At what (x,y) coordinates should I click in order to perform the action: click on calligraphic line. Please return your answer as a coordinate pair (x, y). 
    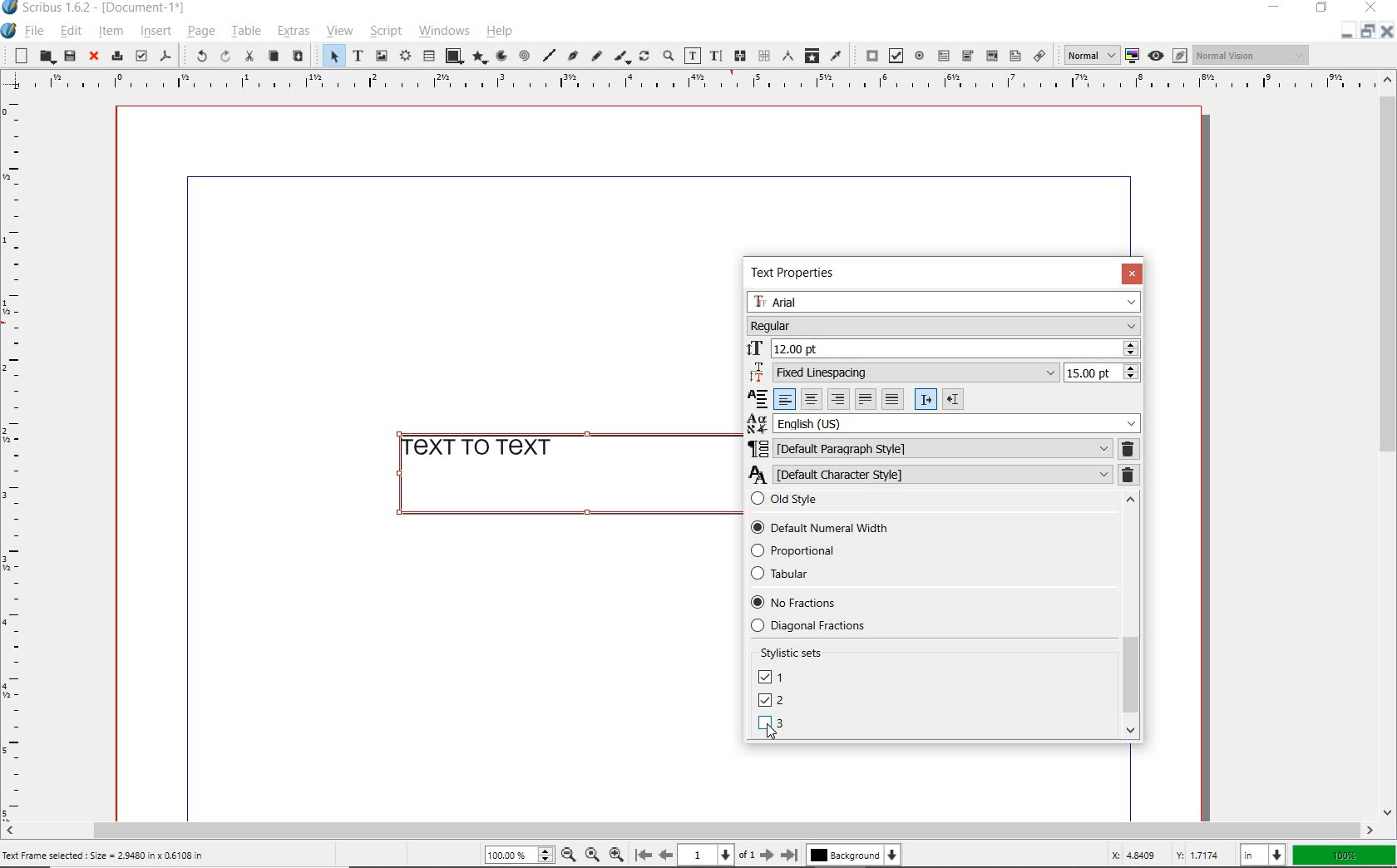
    Looking at the image, I should click on (622, 57).